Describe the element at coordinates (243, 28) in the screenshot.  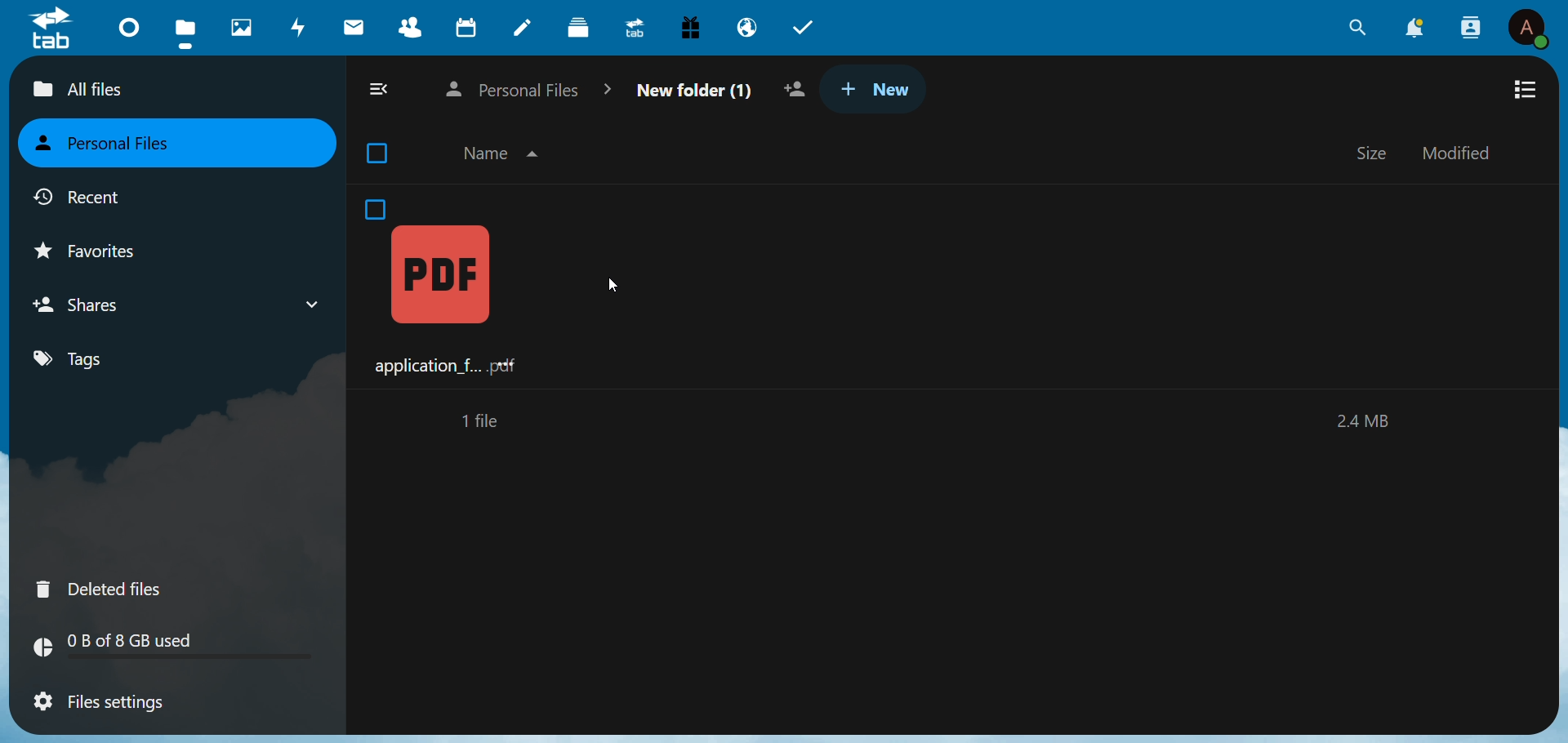
I see `hindi` at that location.